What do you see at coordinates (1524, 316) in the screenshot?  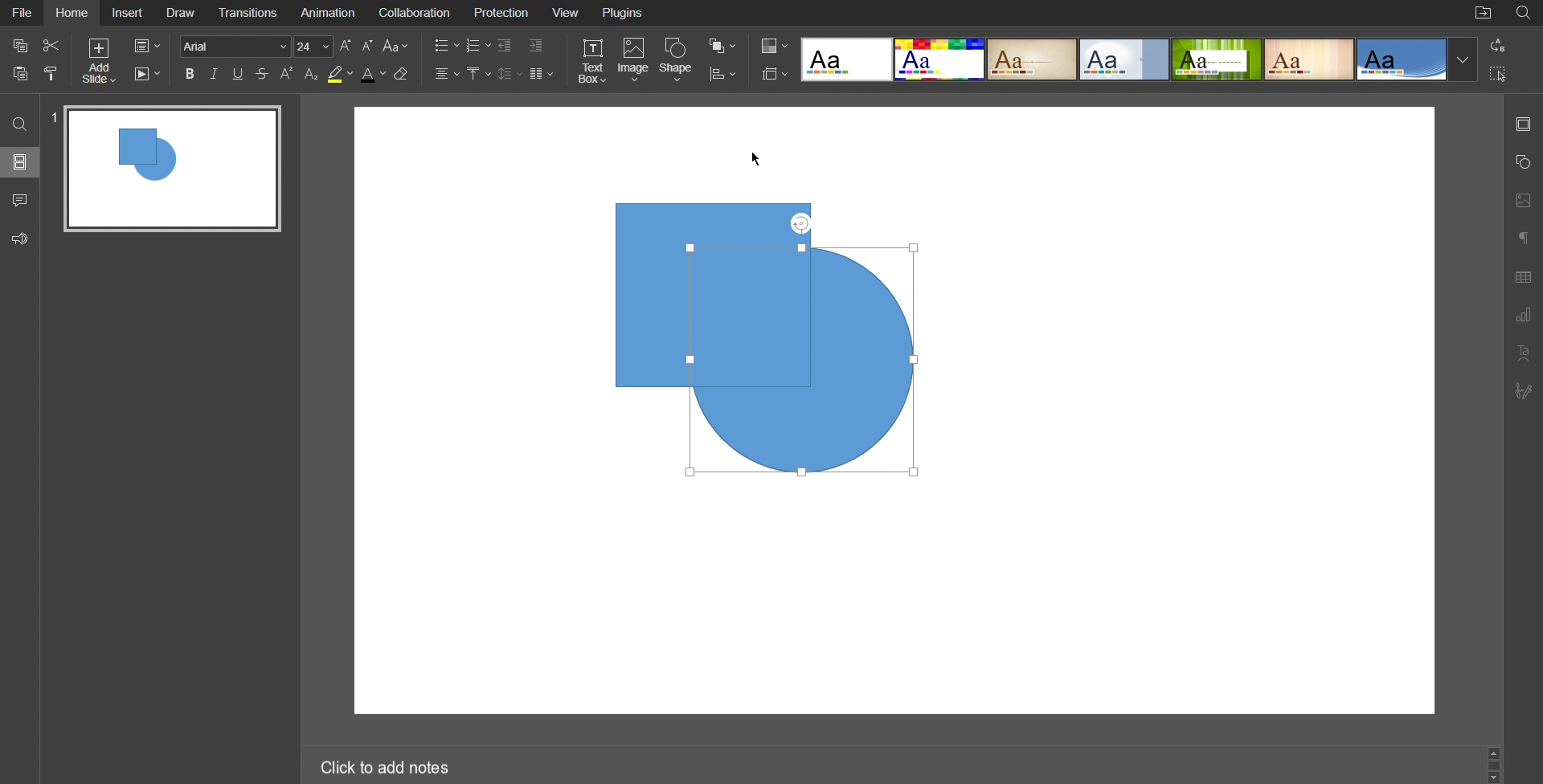 I see `Graph Settings` at bounding box center [1524, 316].